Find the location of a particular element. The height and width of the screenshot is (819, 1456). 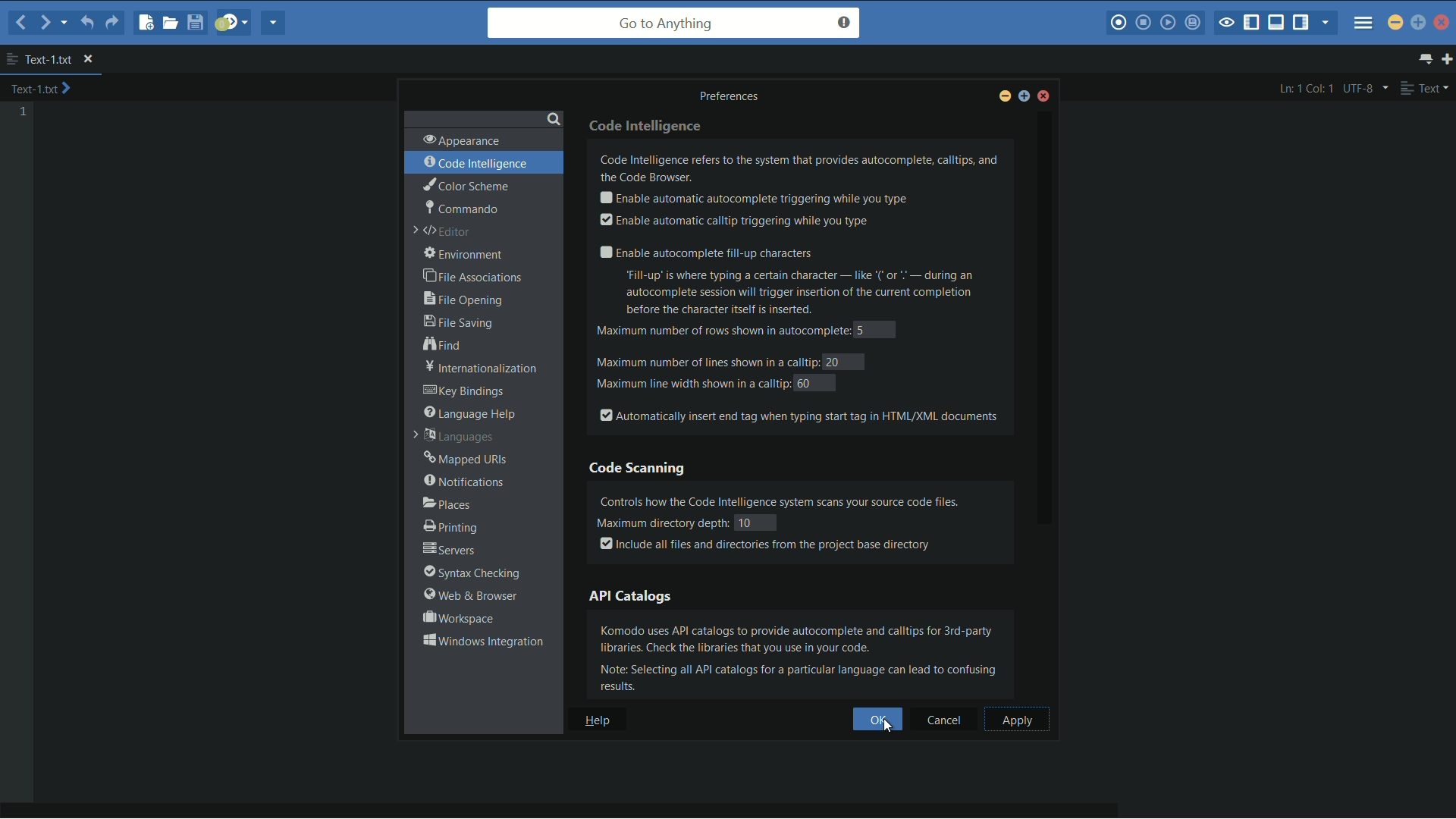

close window is located at coordinates (1045, 98).